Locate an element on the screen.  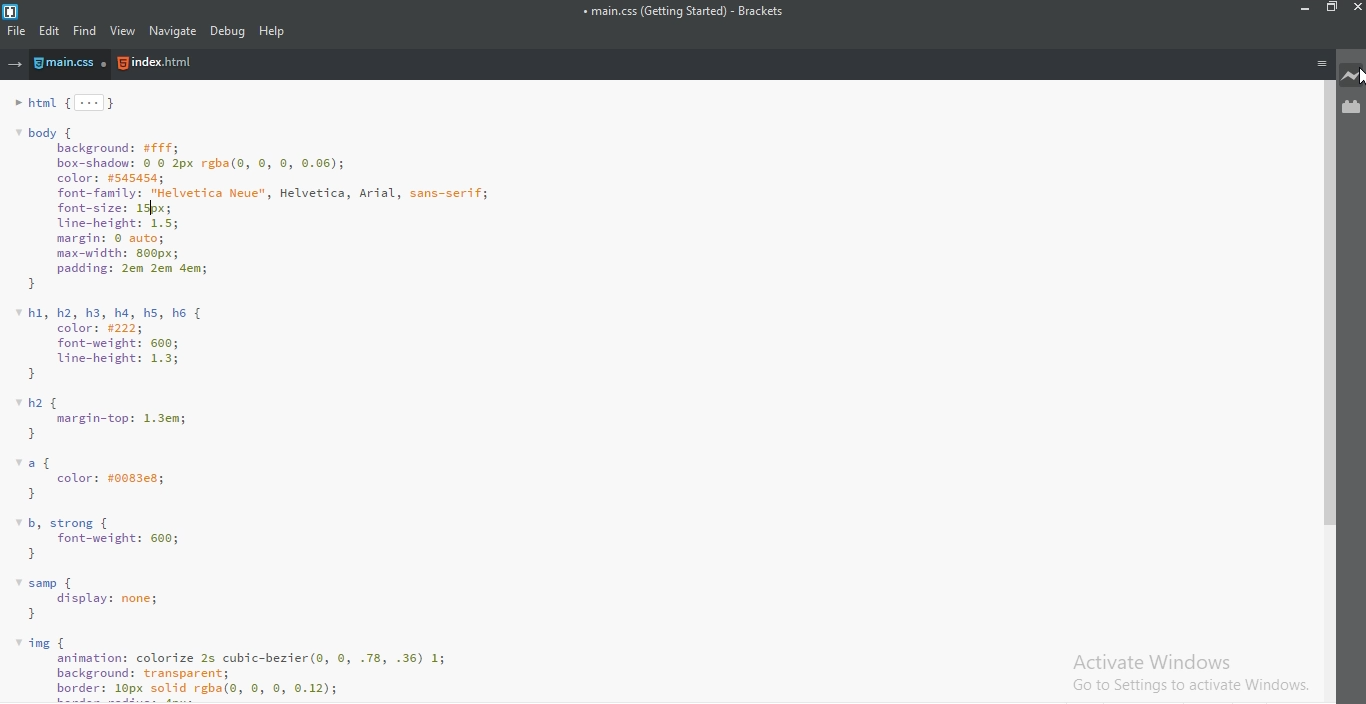
find is located at coordinates (86, 31).